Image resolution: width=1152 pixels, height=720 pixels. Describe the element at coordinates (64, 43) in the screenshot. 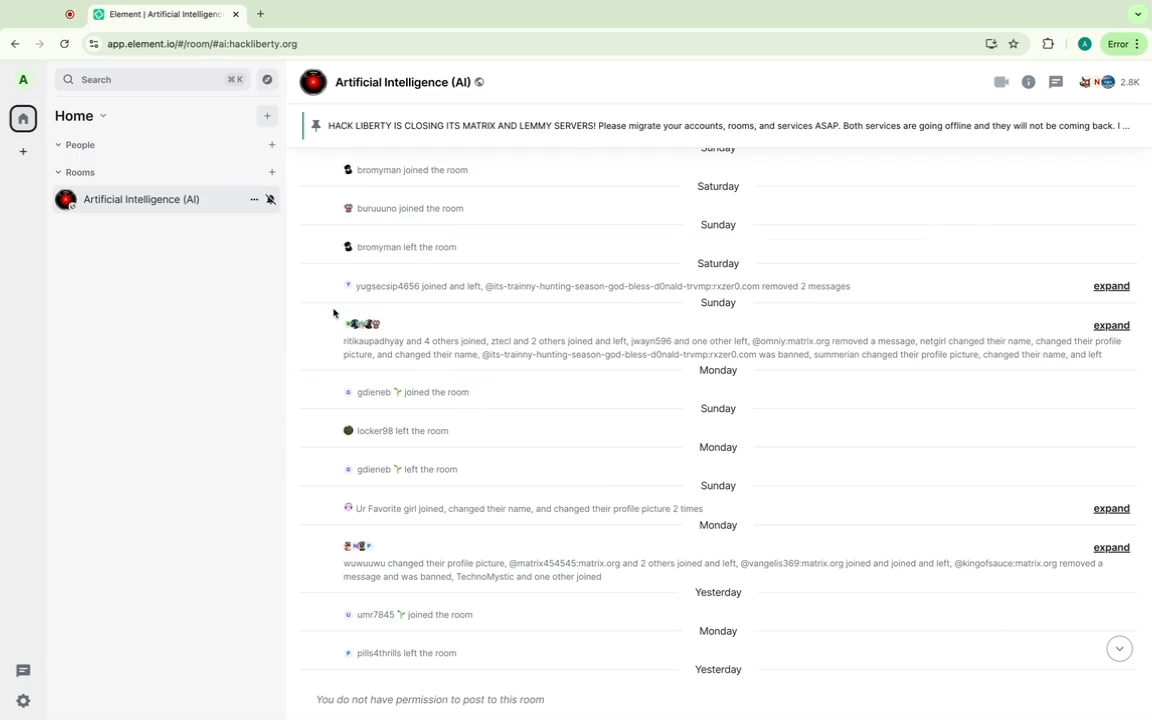

I see `Refresh` at that location.